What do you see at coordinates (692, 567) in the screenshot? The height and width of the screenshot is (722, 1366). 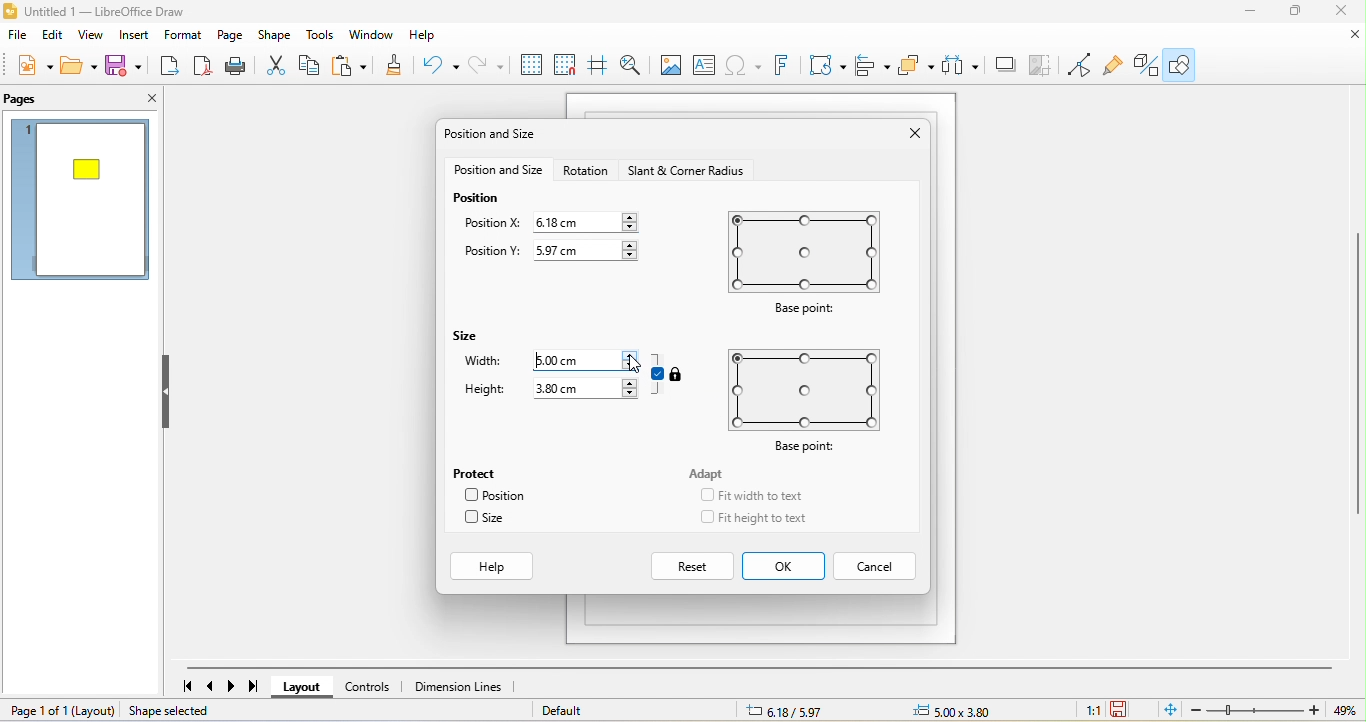 I see `reset` at bounding box center [692, 567].